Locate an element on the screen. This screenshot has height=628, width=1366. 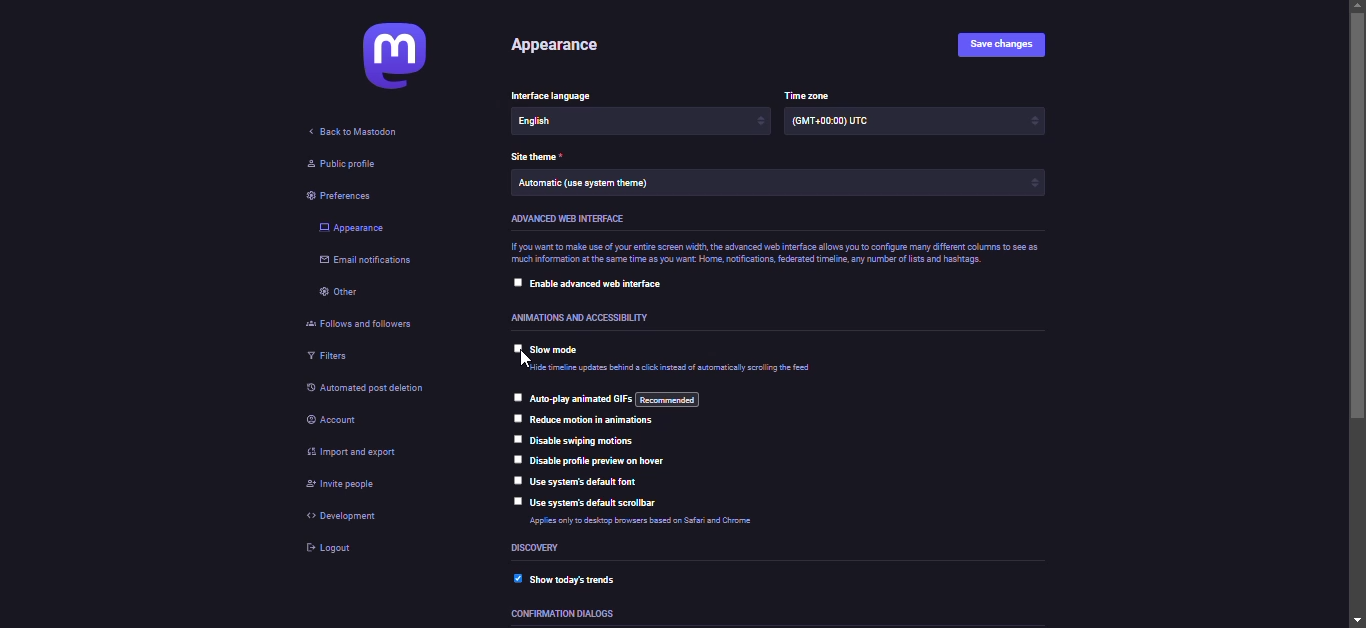
increase/decrease arrows is located at coordinates (760, 121).